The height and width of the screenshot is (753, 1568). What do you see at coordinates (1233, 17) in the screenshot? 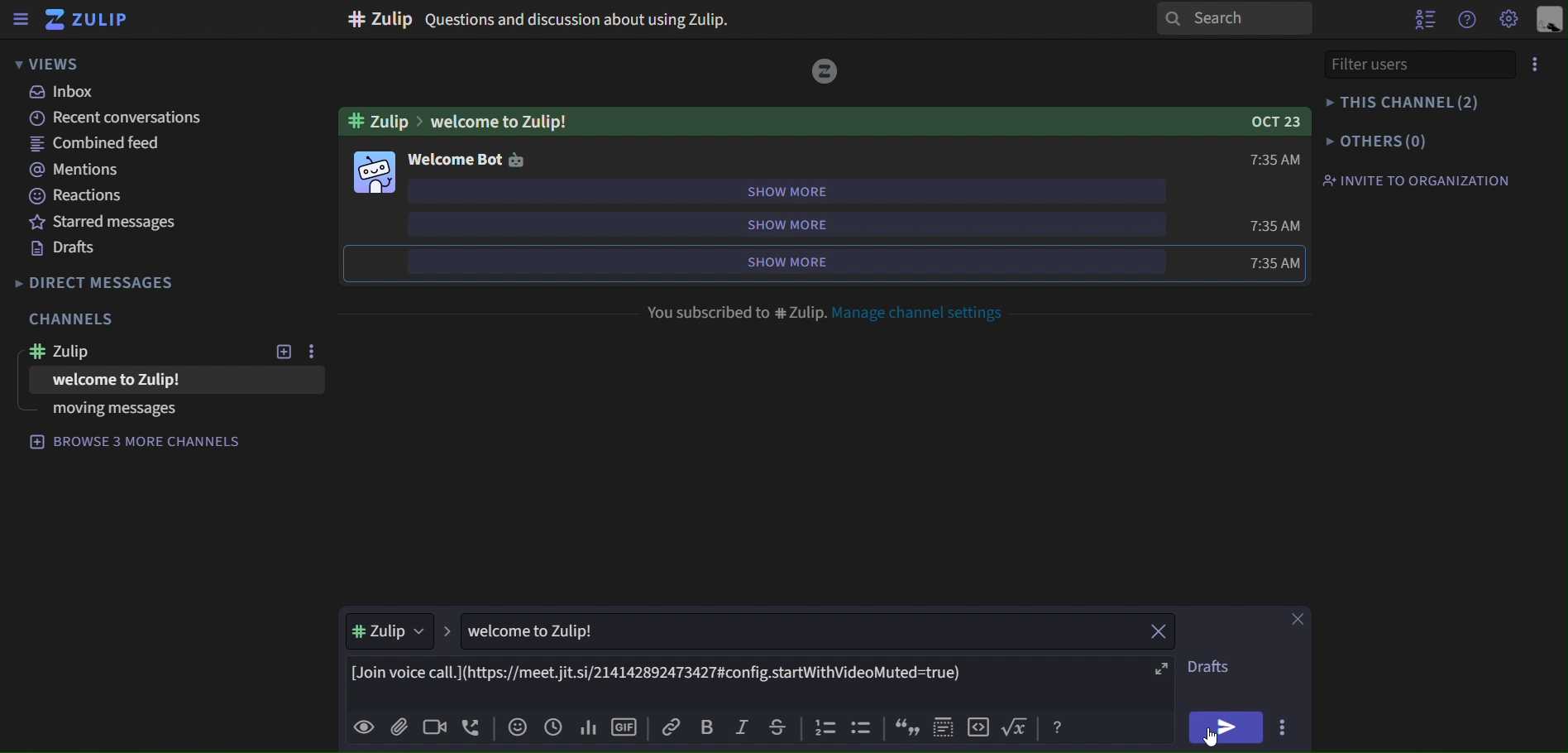
I see `search` at bounding box center [1233, 17].